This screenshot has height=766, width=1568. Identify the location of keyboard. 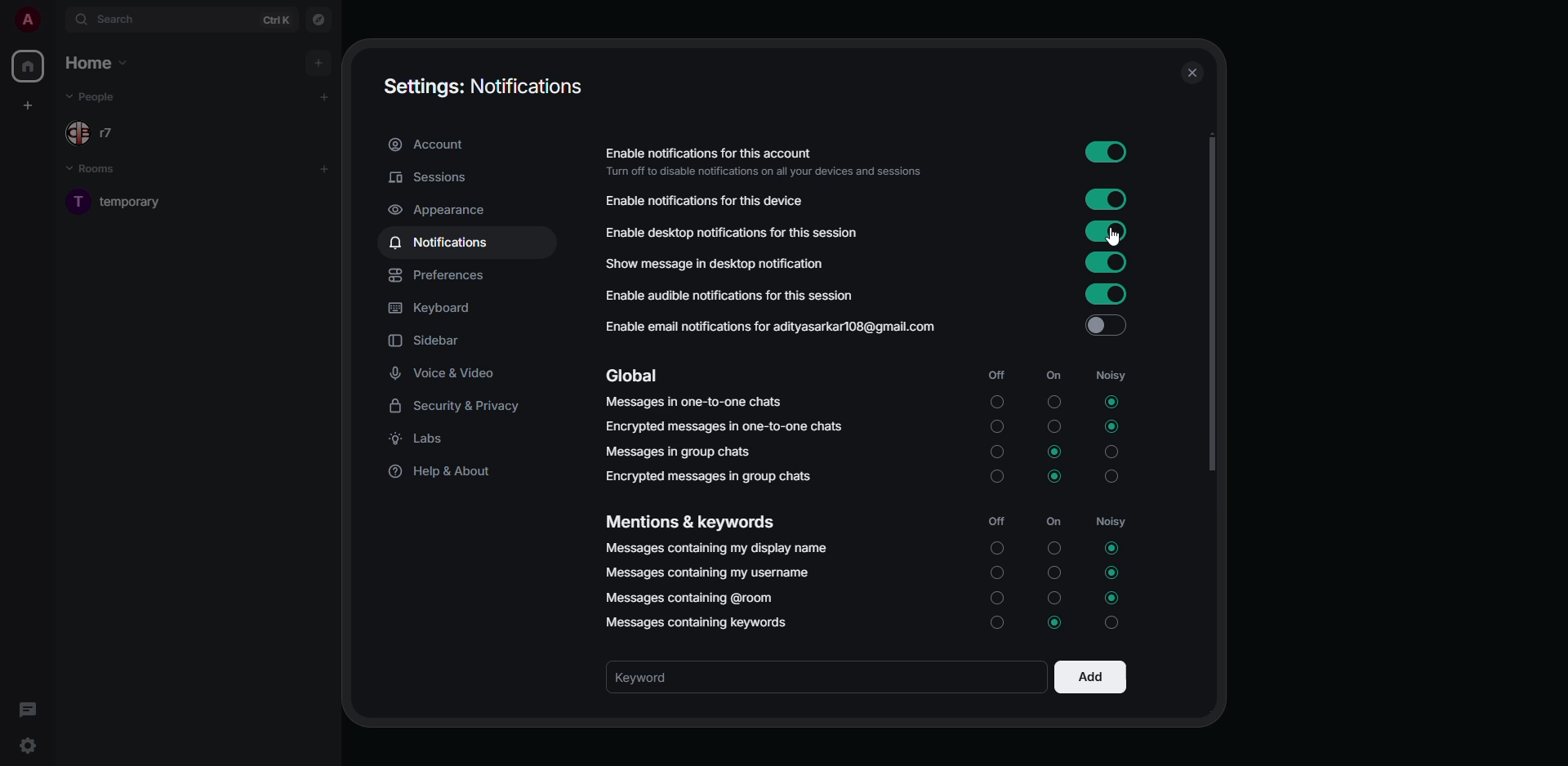
(430, 308).